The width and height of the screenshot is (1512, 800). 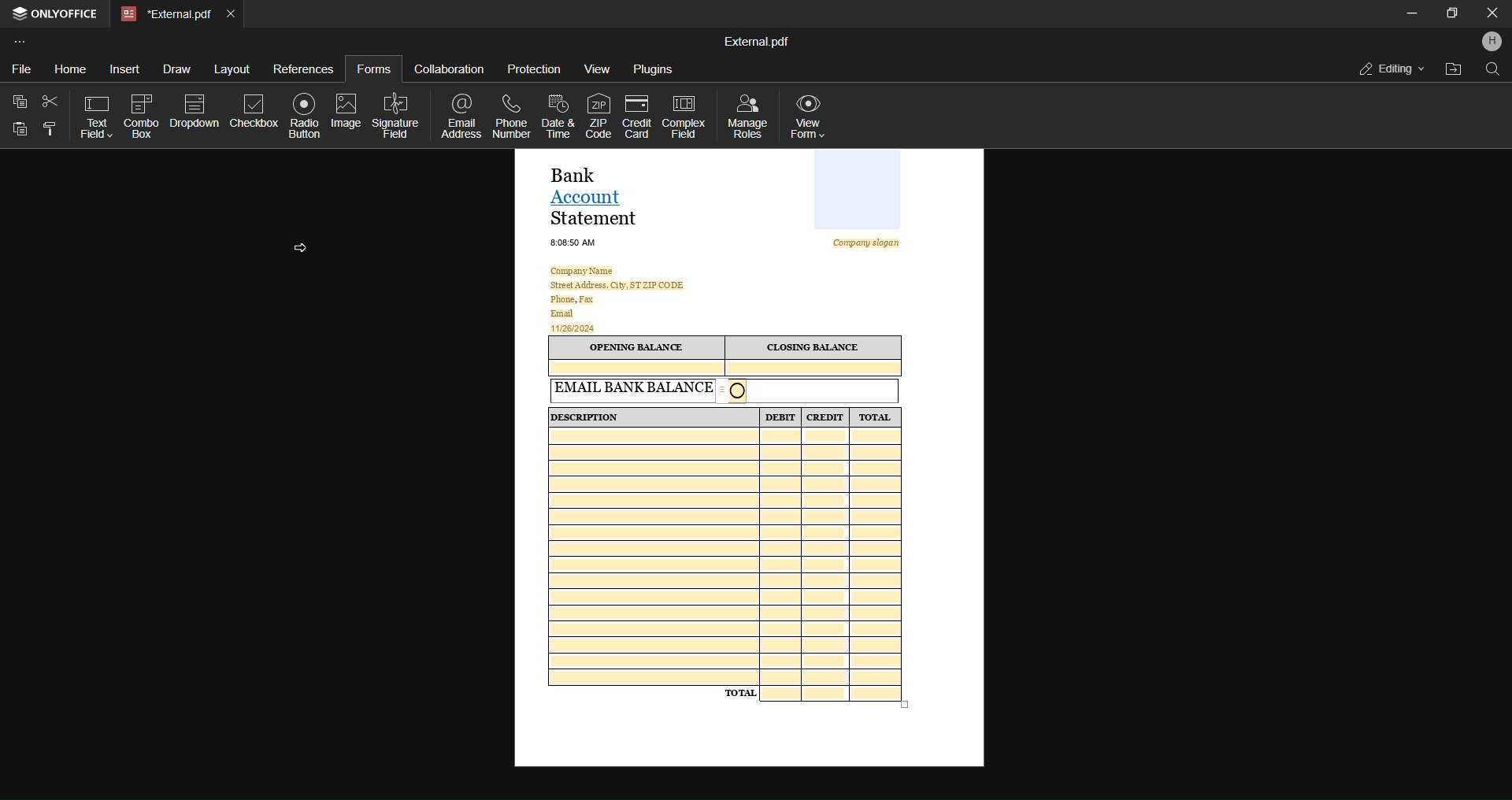 I want to click on protection, so click(x=535, y=71).